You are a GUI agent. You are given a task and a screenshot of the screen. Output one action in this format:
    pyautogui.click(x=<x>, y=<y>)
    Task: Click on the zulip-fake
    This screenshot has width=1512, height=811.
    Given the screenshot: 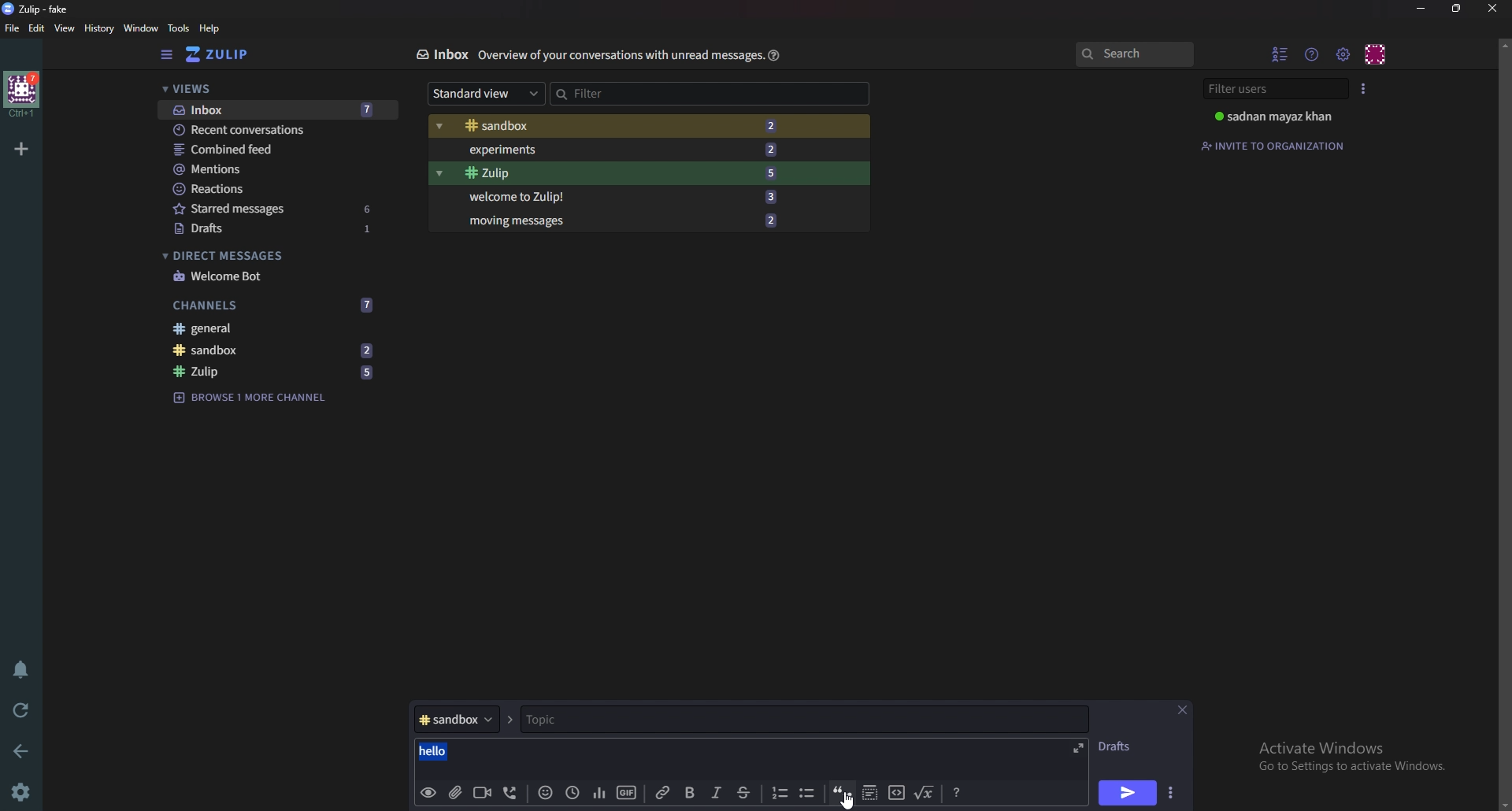 What is the action you would take?
    pyautogui.click(x=39, y=9)
    